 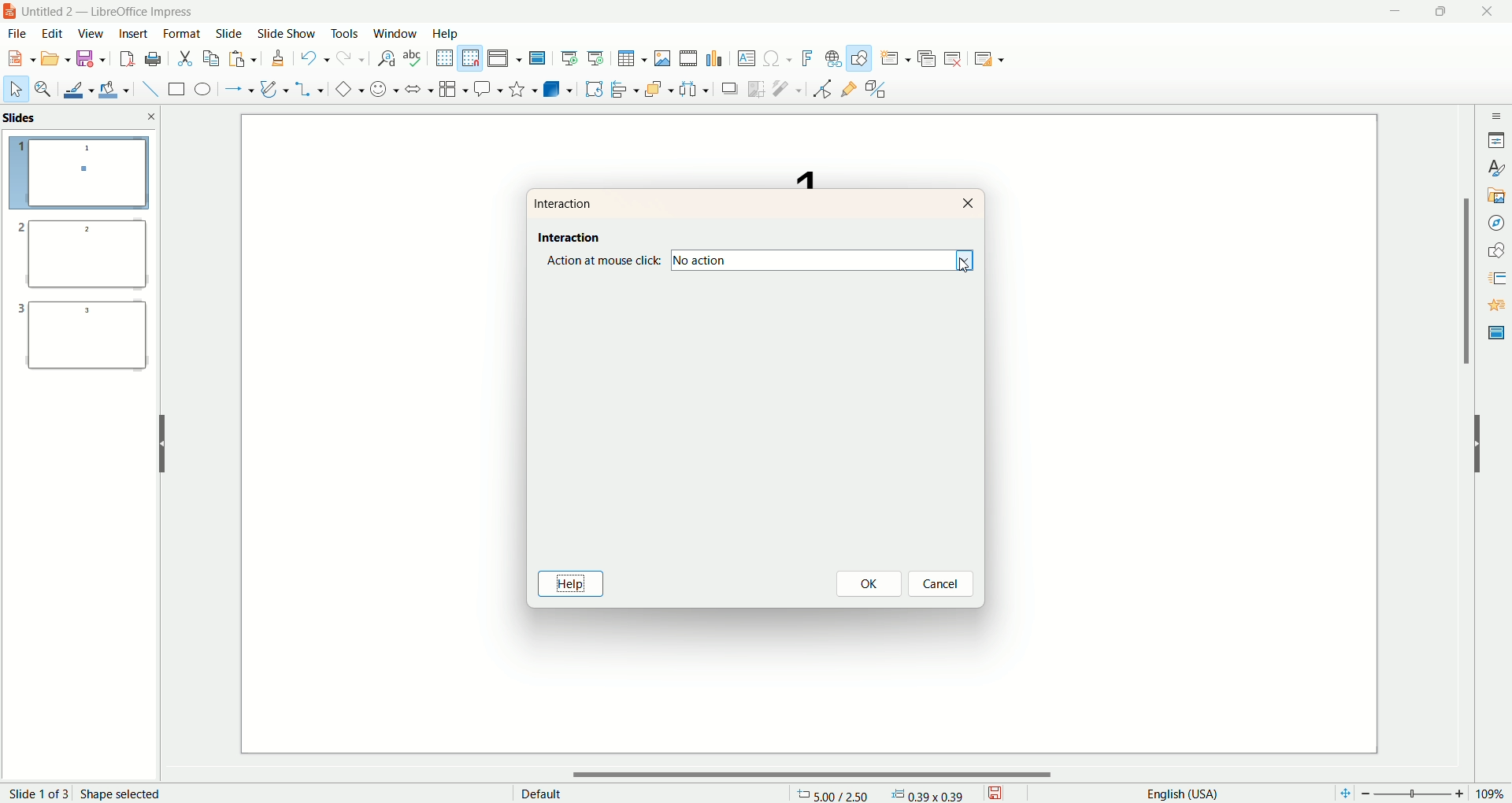 I want to click on new slide, so click(x=895, y=57).